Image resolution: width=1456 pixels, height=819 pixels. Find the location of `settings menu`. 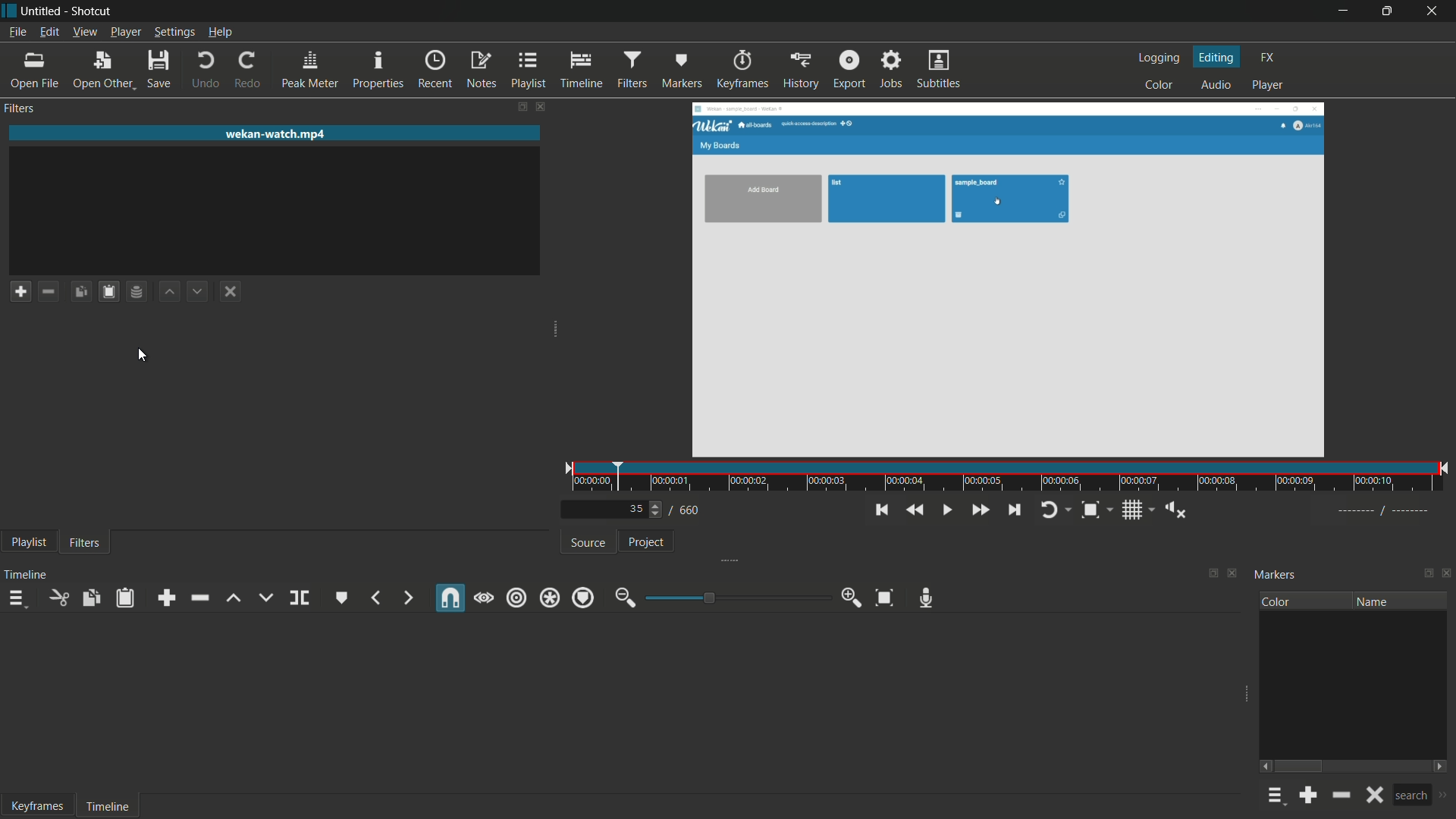

settings menu is located at coordinates (174, 32).